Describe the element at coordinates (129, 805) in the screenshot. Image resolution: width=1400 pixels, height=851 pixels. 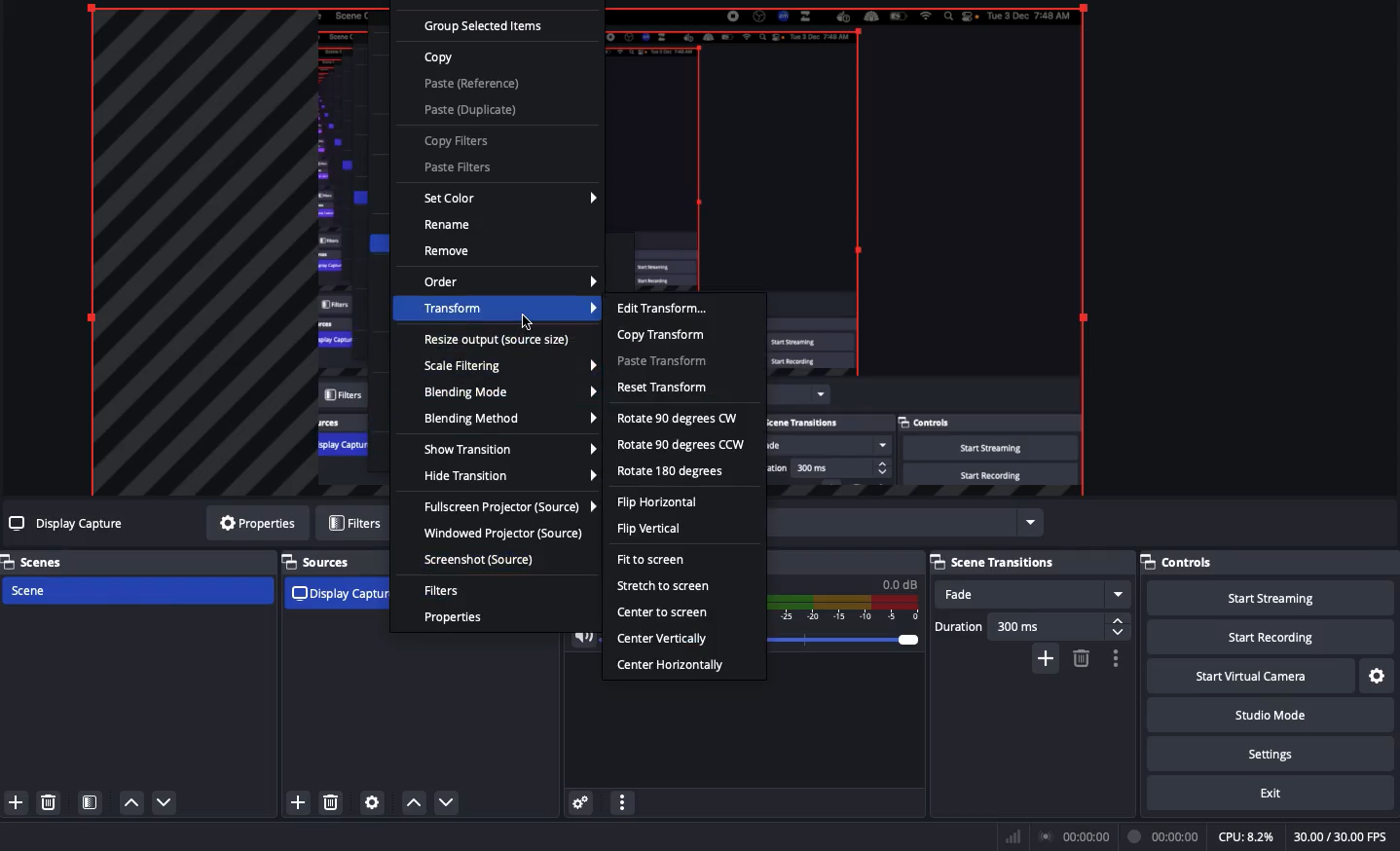
I see `Move up` at that location.